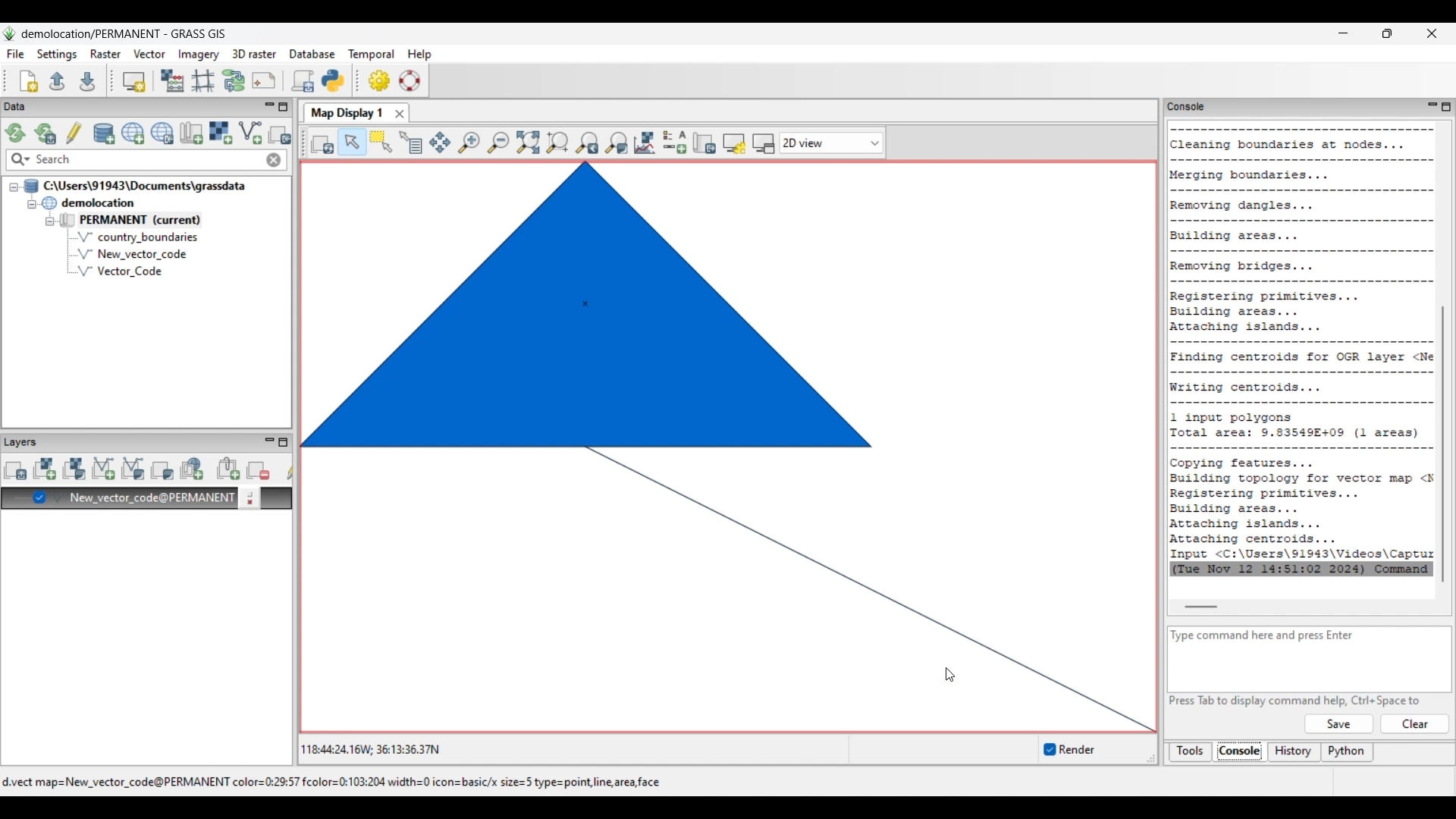  Describe the element at coordinates (45, 133) in the screenshot. I see `Reload current GRASS mapset only` at that location.